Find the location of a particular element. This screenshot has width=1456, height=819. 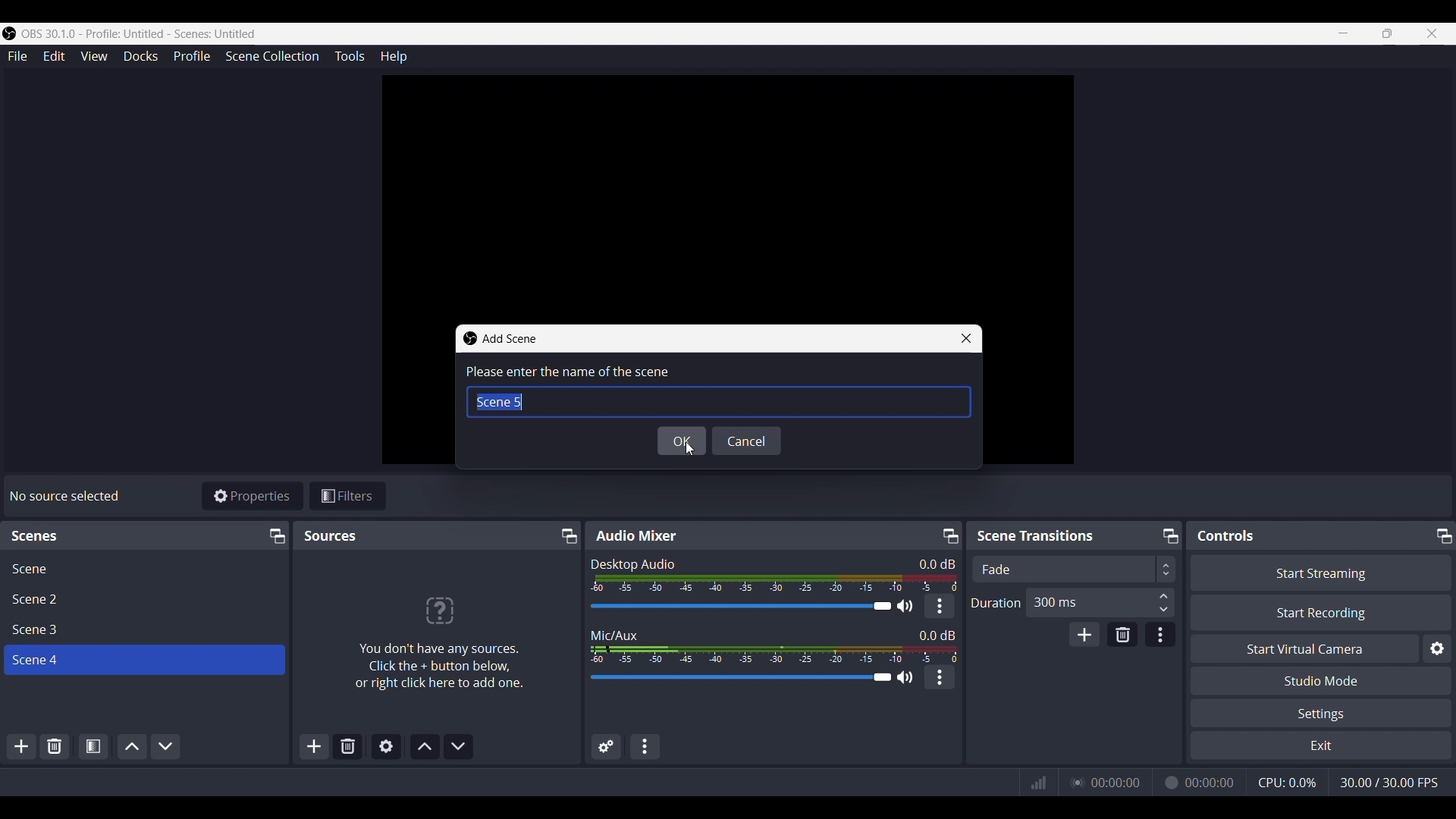

Scene Transition is located at coordinates (1045, 535).